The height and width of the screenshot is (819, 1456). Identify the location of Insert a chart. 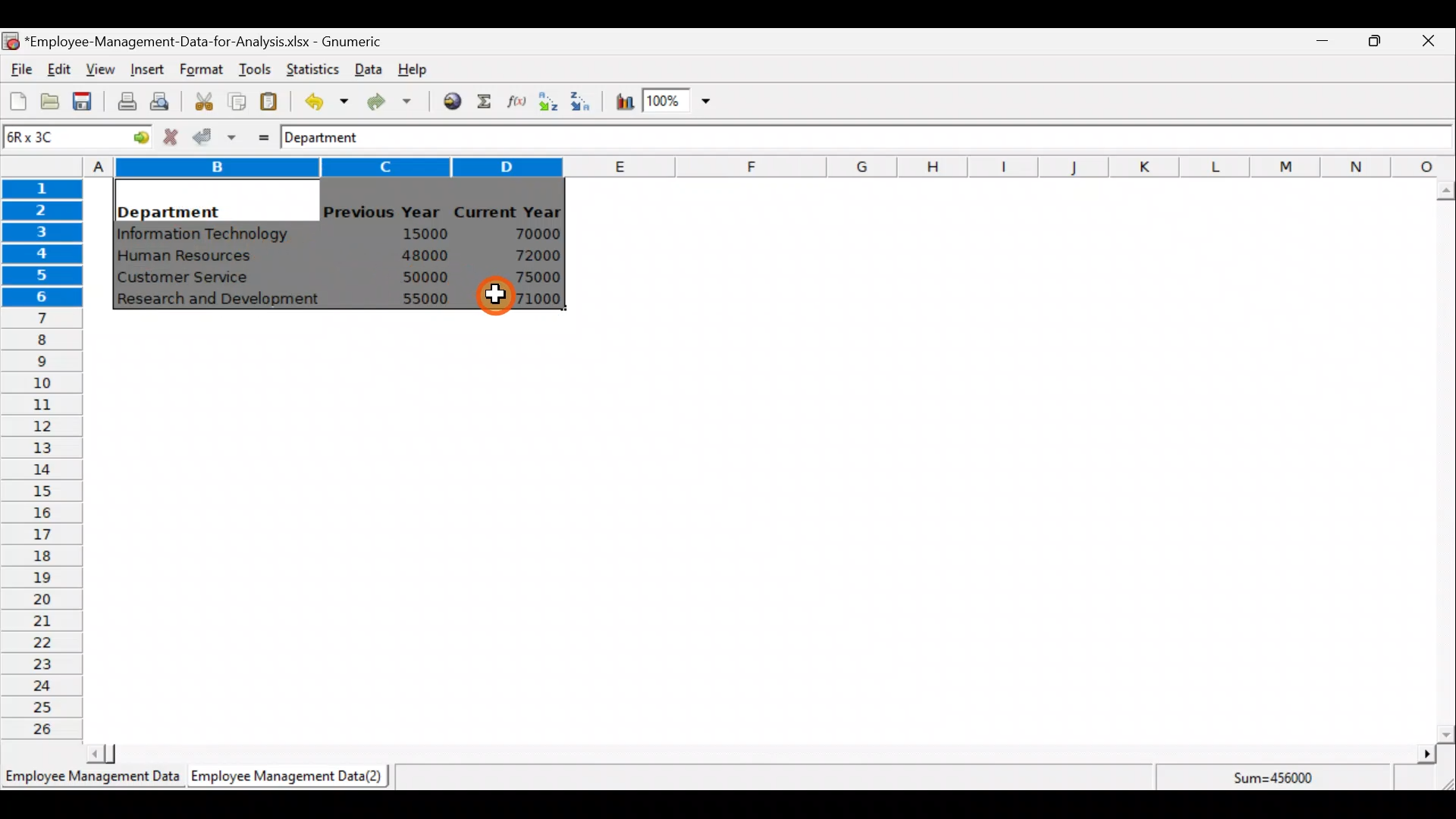
(621, 103).